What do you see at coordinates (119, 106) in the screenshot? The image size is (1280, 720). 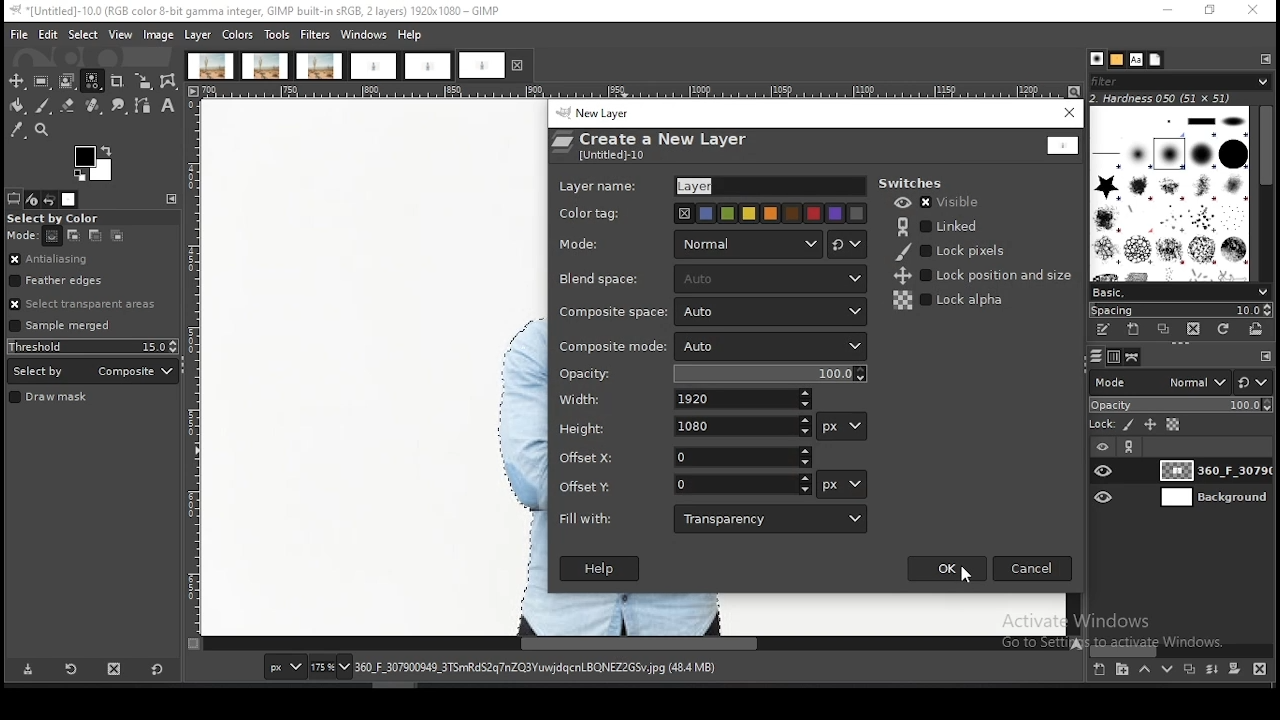 I see `smudge tool` at bounding box center [119, 106].